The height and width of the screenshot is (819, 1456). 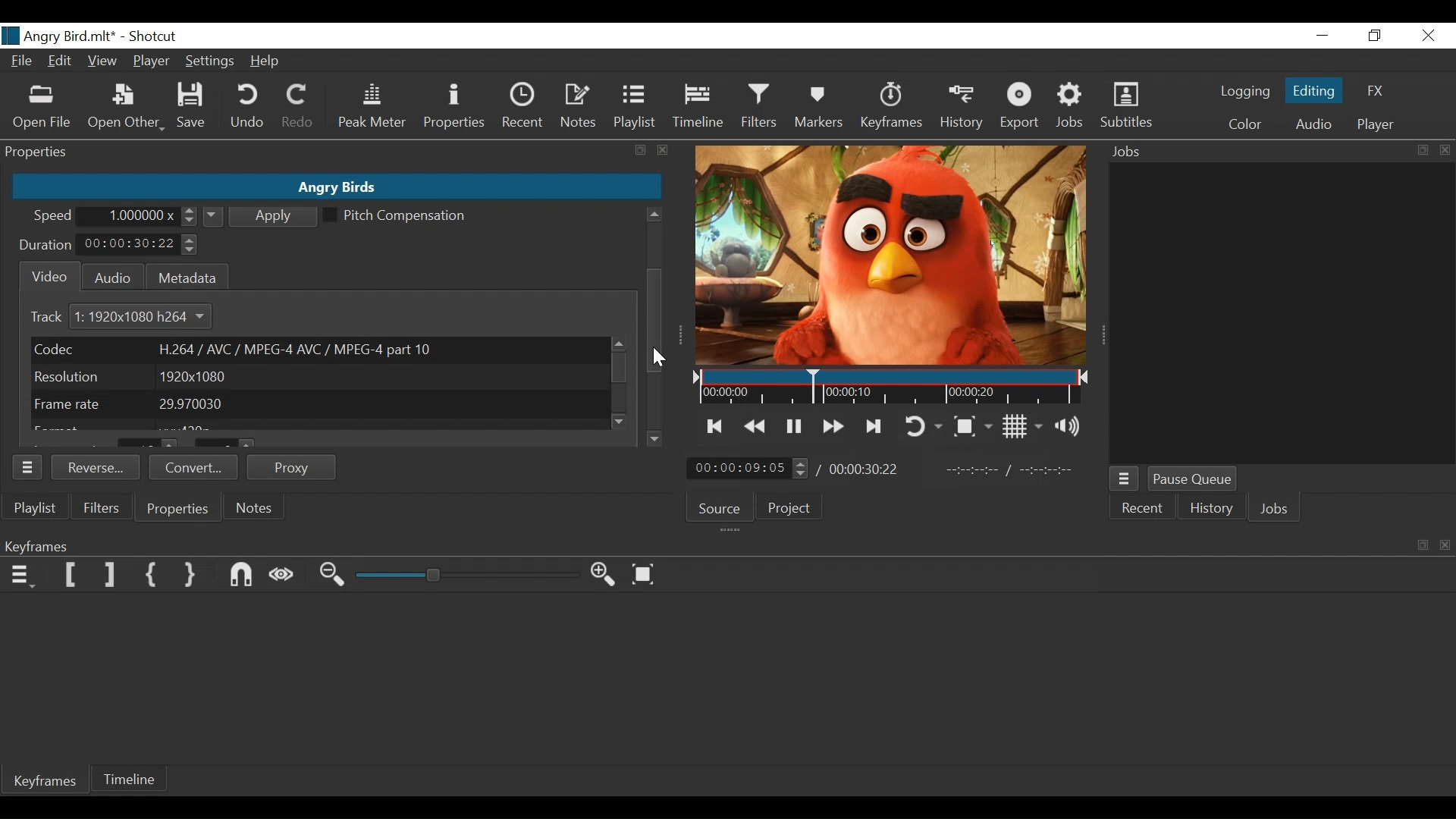 I want to click on Close, so click(x=1426, y=36).